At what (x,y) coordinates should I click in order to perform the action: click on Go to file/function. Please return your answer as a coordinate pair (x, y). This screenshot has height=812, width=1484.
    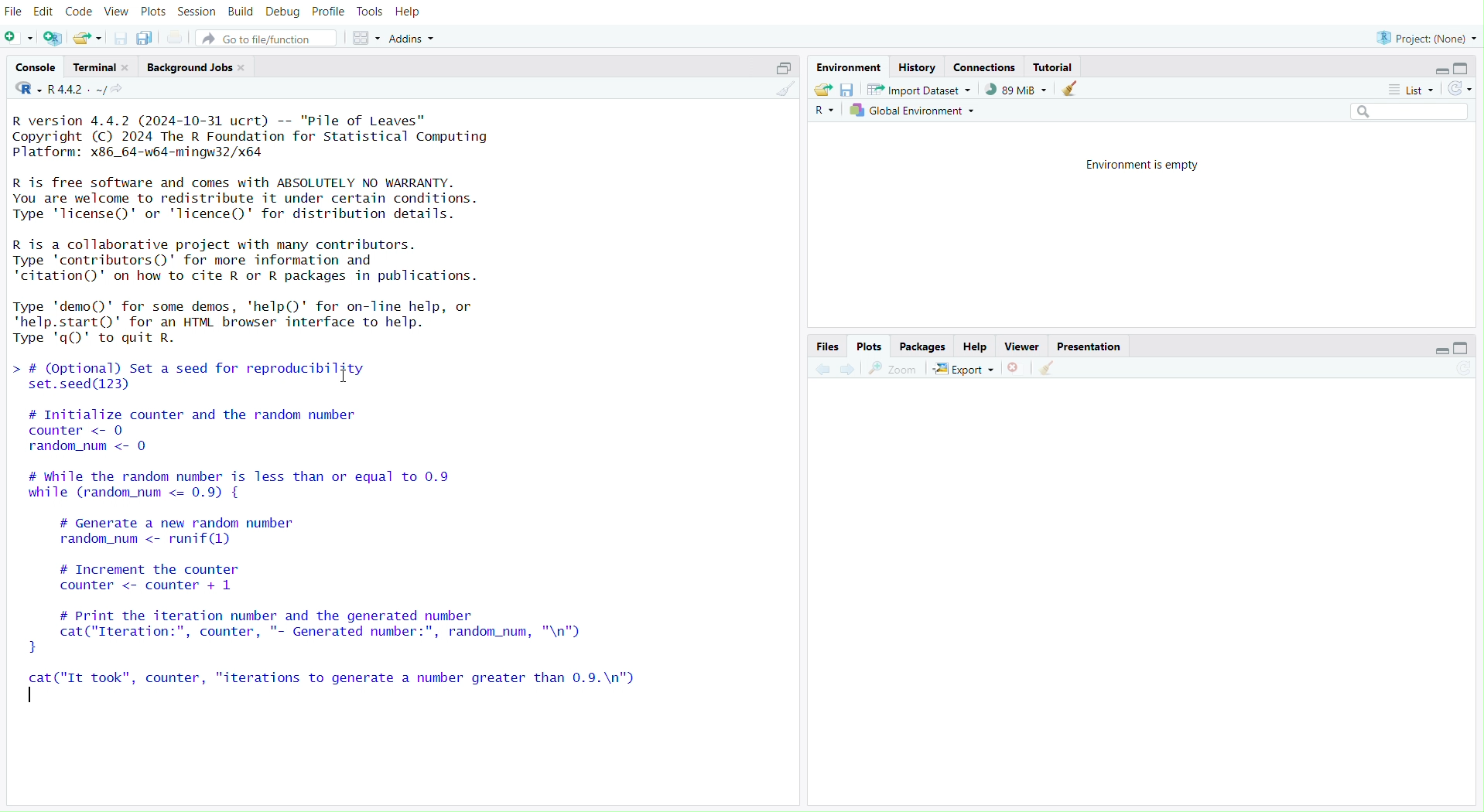
    Looking at the image, I should click on (272, 36).